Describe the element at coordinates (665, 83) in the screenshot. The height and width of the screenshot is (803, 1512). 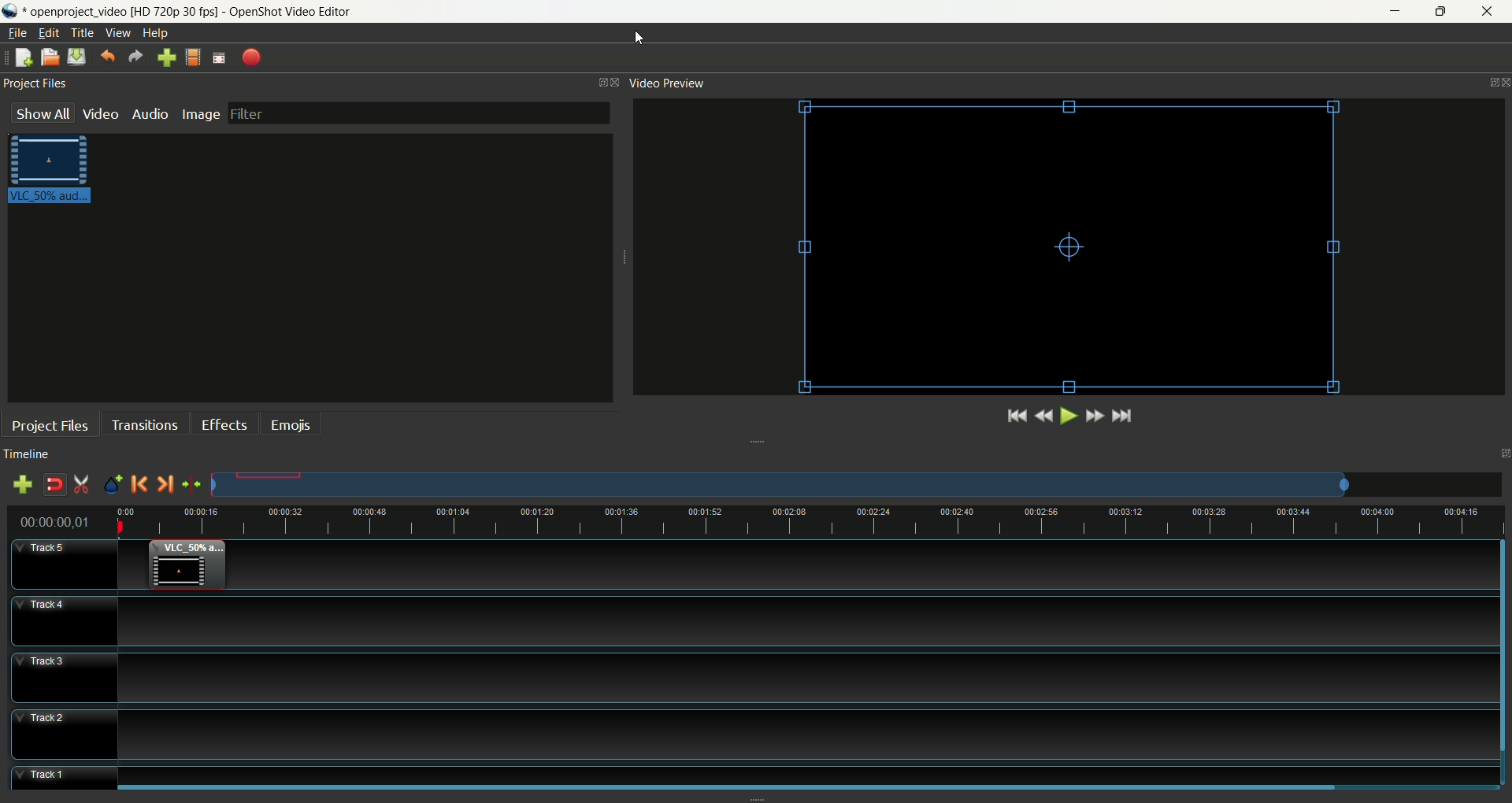
I see `video preview` at that location.